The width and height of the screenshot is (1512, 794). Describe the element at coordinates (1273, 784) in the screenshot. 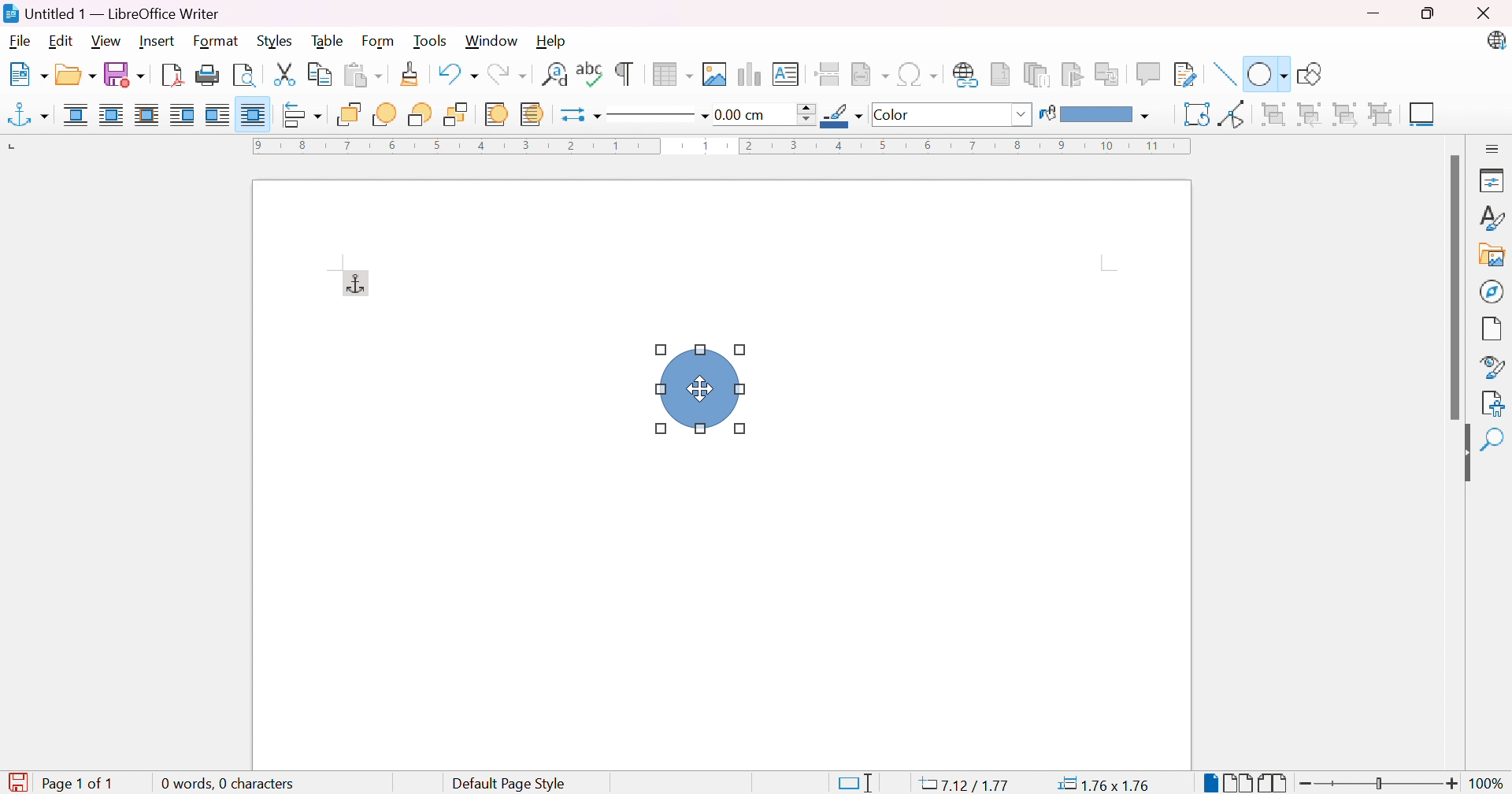

I see `Book view` at that location.